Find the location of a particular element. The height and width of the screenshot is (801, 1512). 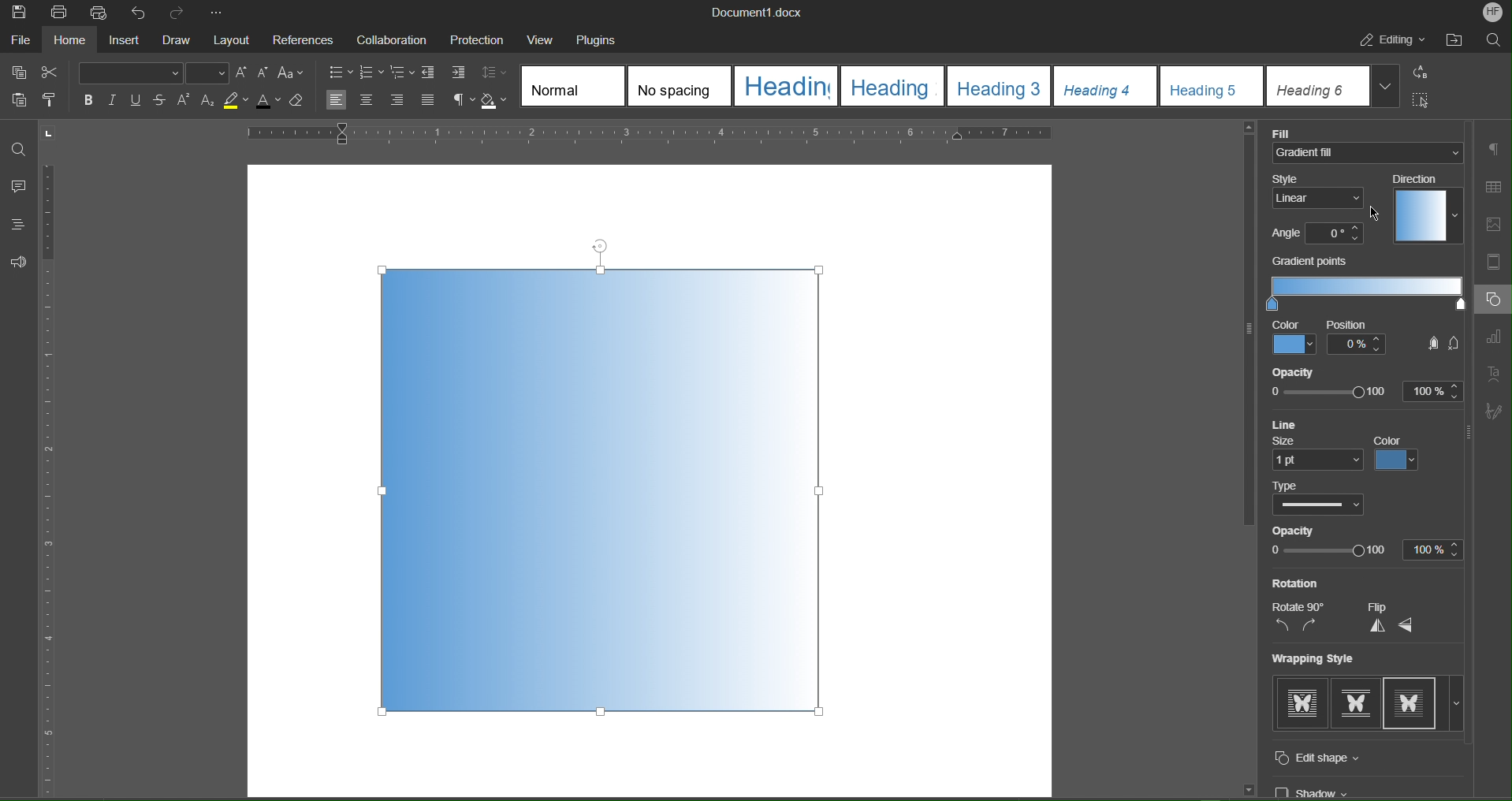

Table is located at coordinates (1497, 184).